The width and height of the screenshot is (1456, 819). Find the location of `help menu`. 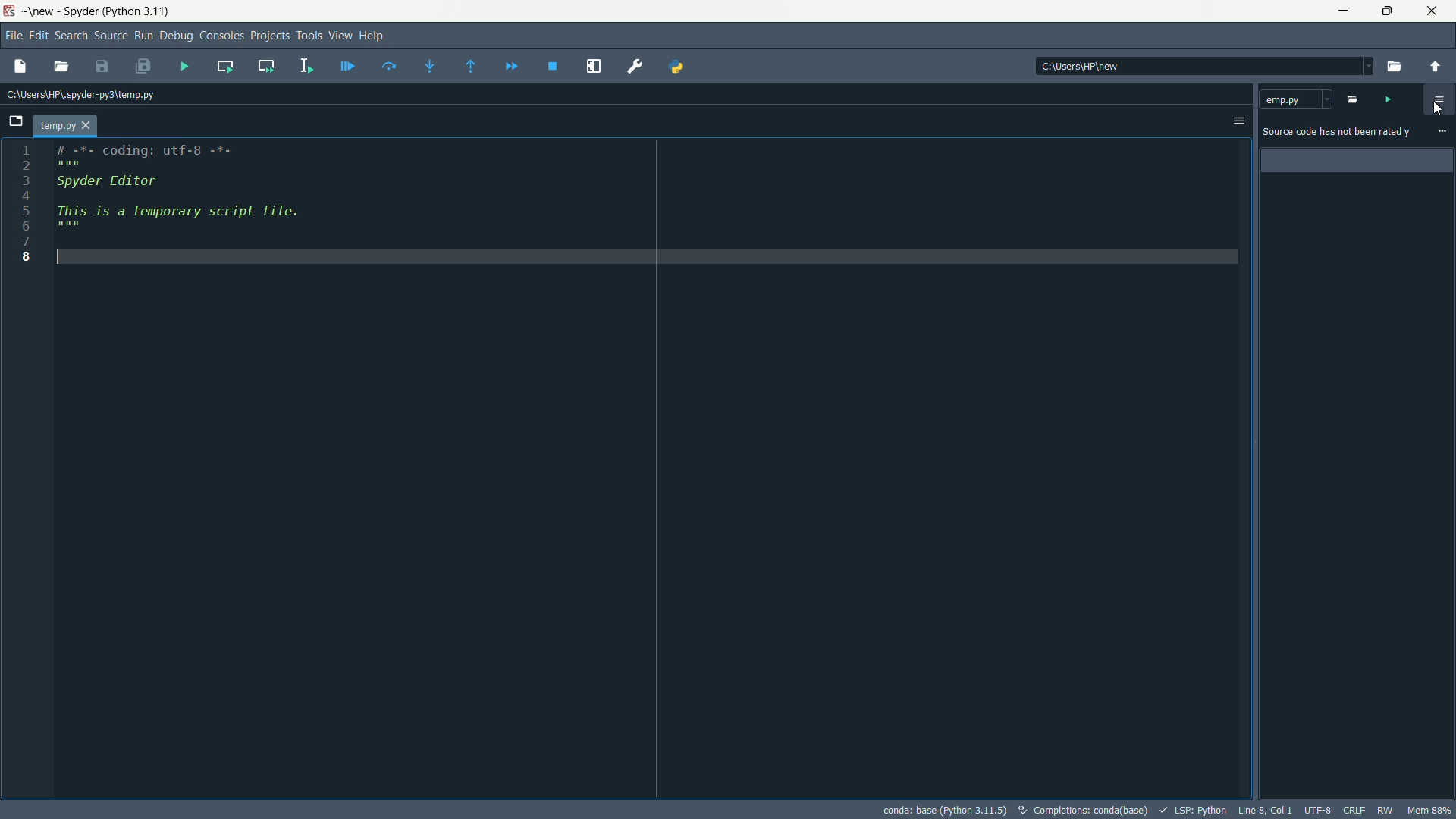

help menu is located at coordinates (375, 35).